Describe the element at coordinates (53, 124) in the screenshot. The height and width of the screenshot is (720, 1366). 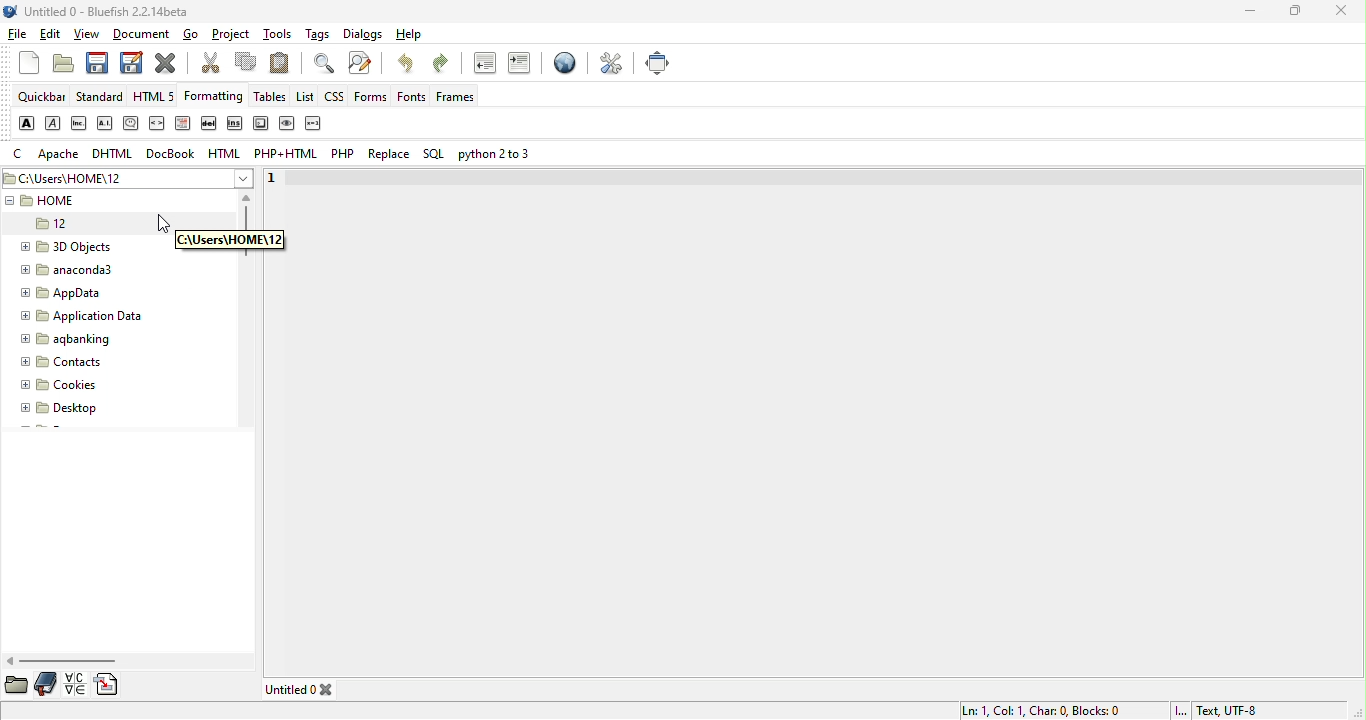
I see `emphasis` at that location.